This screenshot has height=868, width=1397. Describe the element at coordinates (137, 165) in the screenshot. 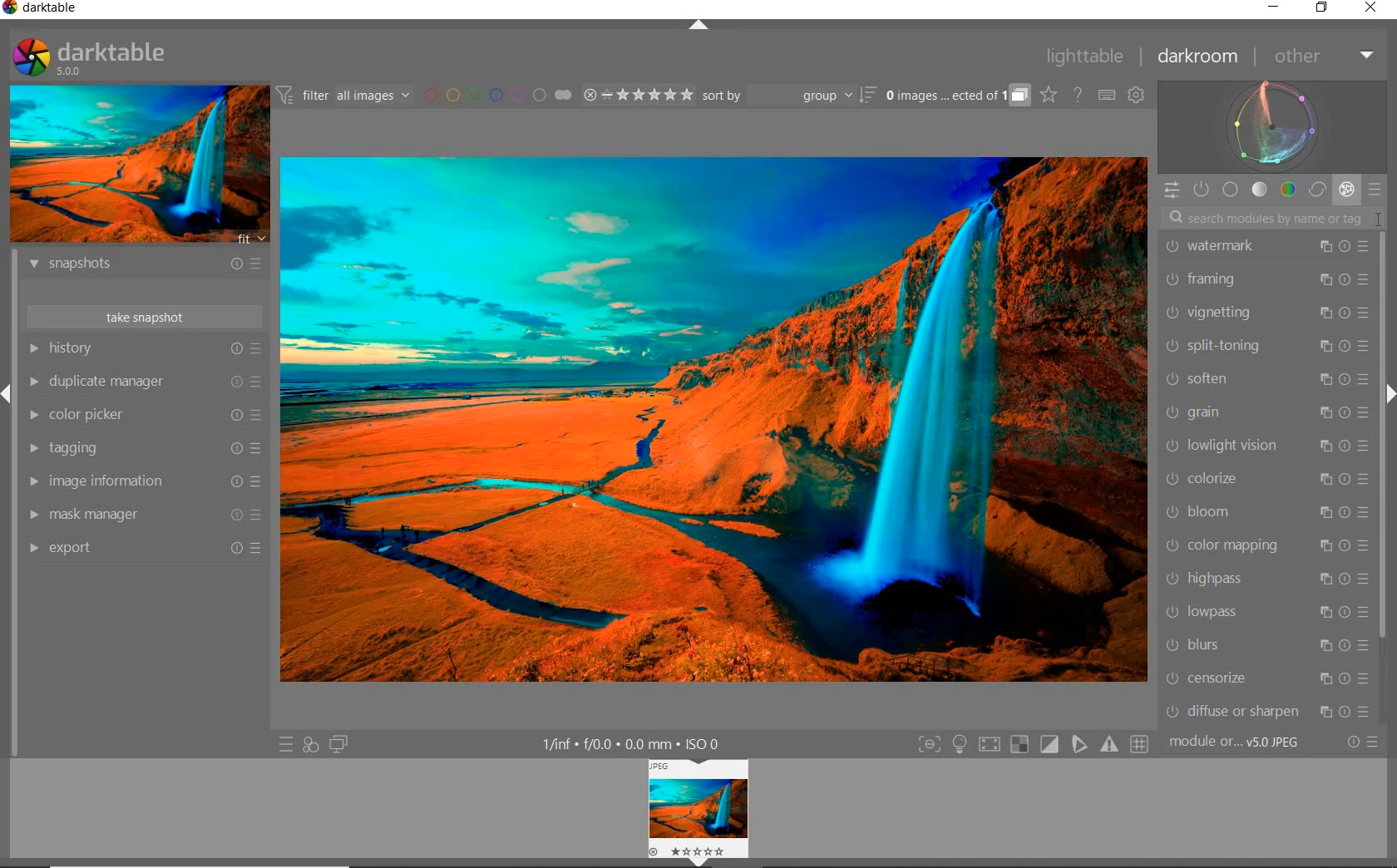

I see `IMAGE PREVIEW` at that location.